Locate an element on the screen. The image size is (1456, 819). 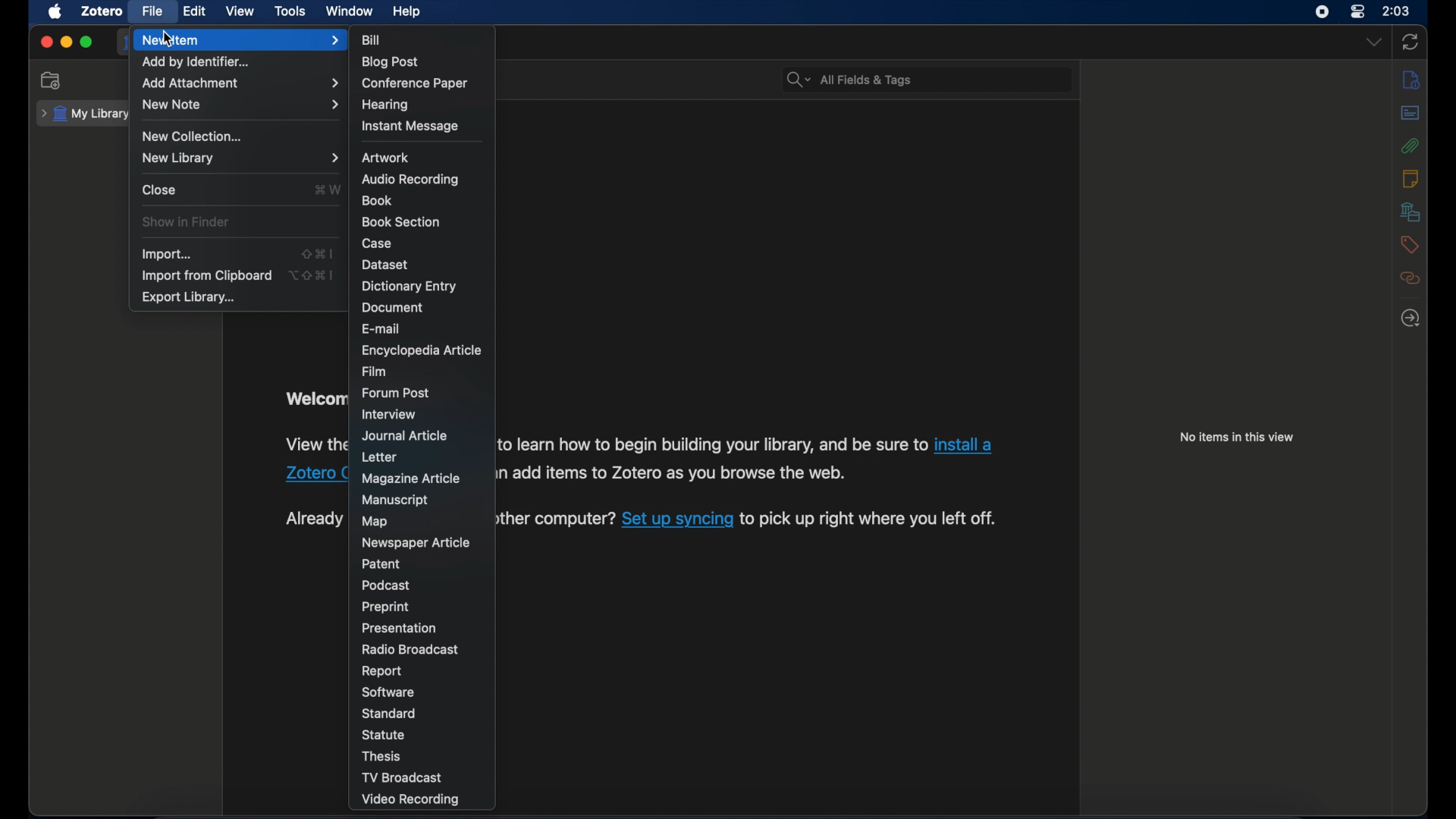
statue is located at coordinates (383, 734).